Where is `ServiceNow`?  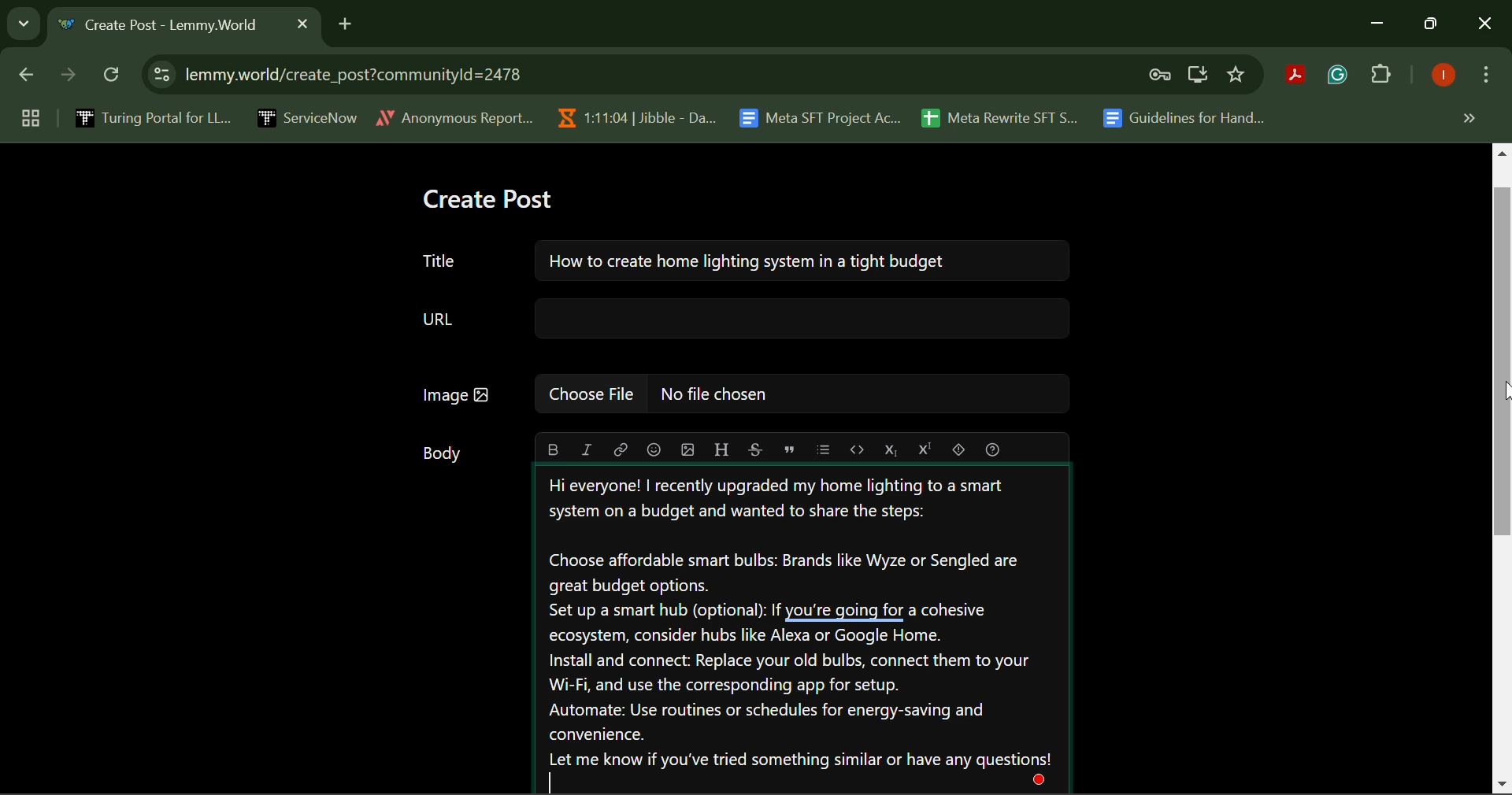 ServiceNow is located at coordinates (306, 116).